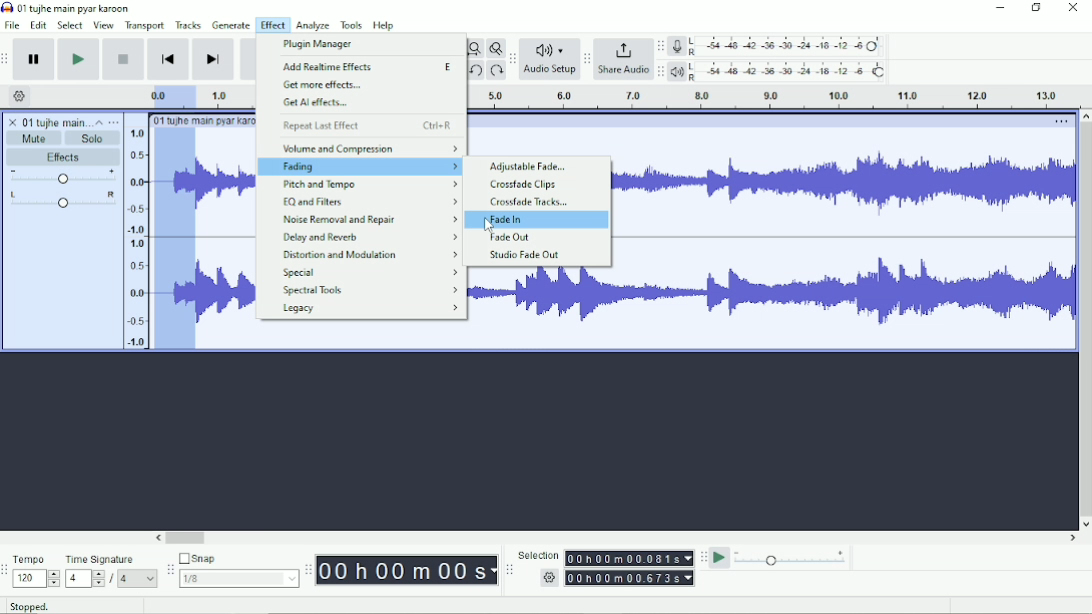 This screenshot has width=1092, height=614. What do you see at coordinates (475, 49) in the screenshot?
I see `Fit project to width` at bounding box center [475, 49].